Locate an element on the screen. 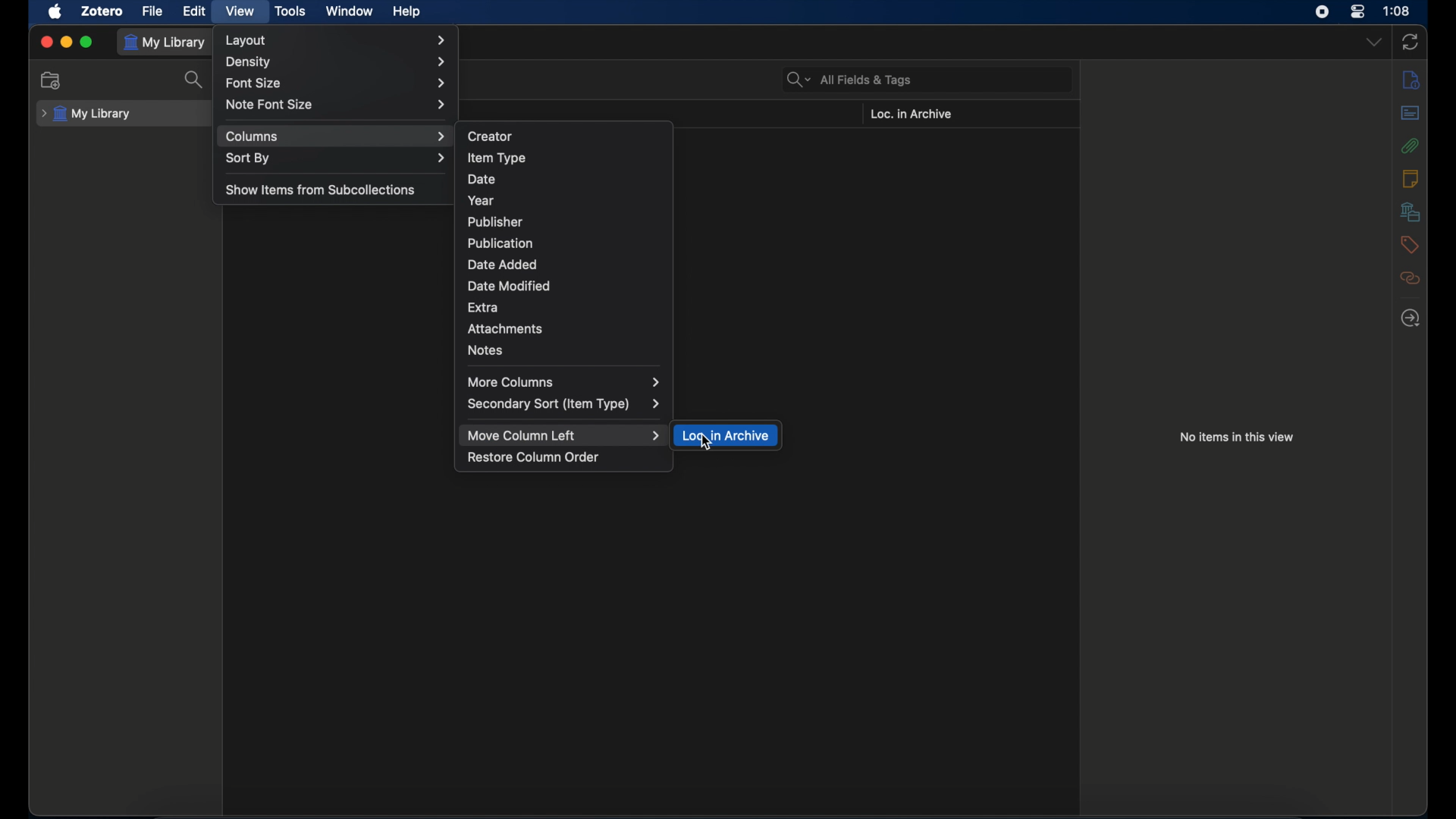 Image resolution: width=1456 pixels, height=819 pixels. extra is located at coordinates (483, 309).